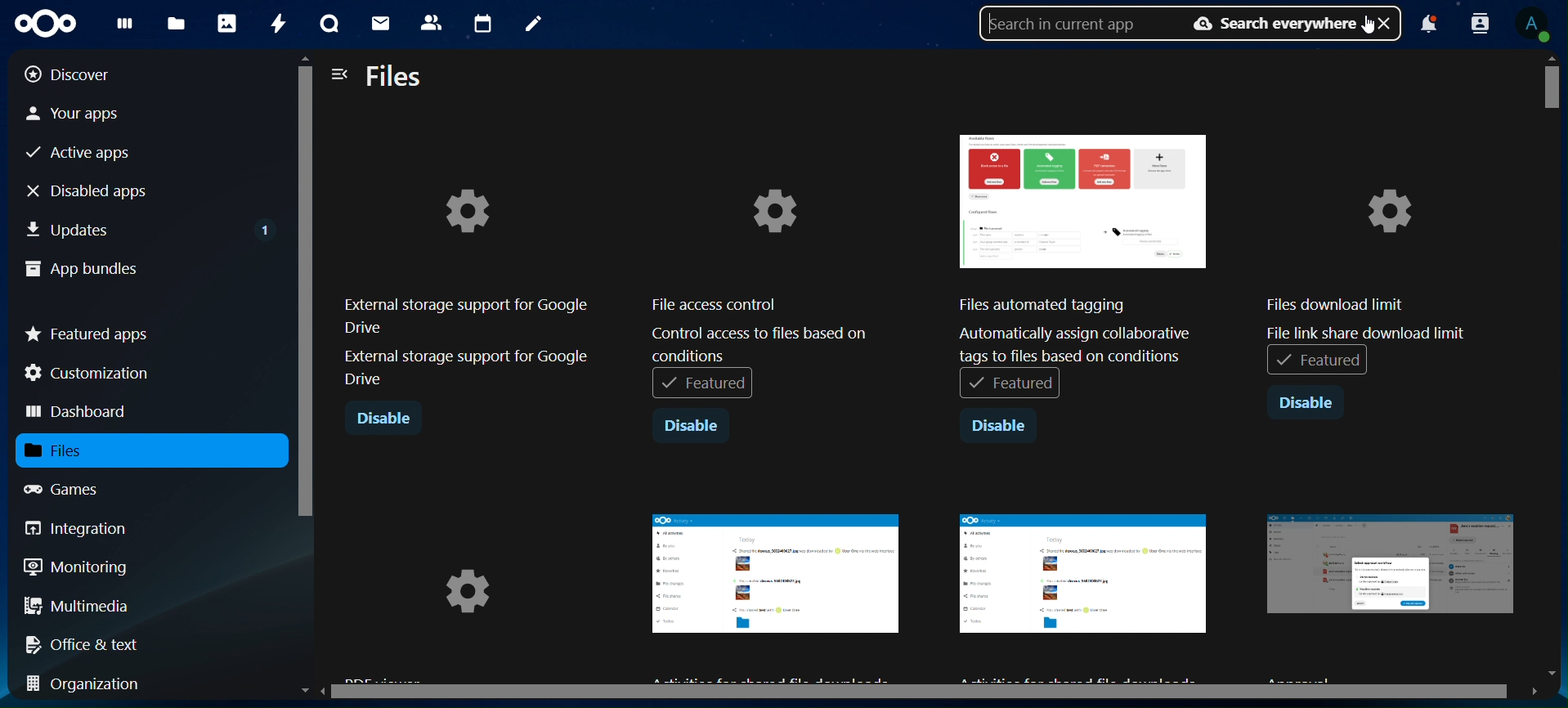 The height and width of the screenshot is (708, 1568). What do you see at coordinates (89, 112) in the screenshot?
I see `your apps` at bounding box center [89, 112].